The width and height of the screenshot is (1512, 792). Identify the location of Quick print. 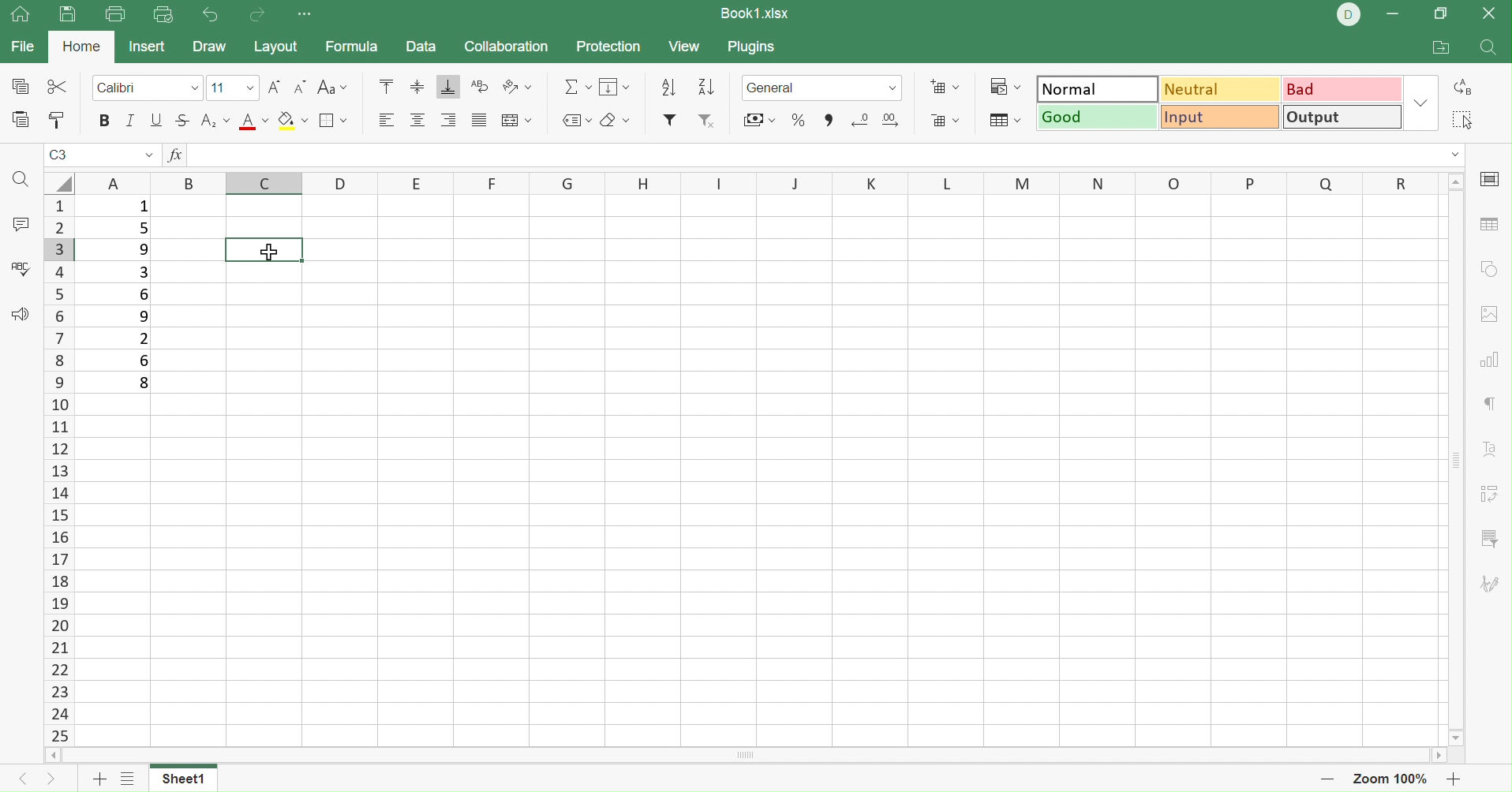
(163, 15).